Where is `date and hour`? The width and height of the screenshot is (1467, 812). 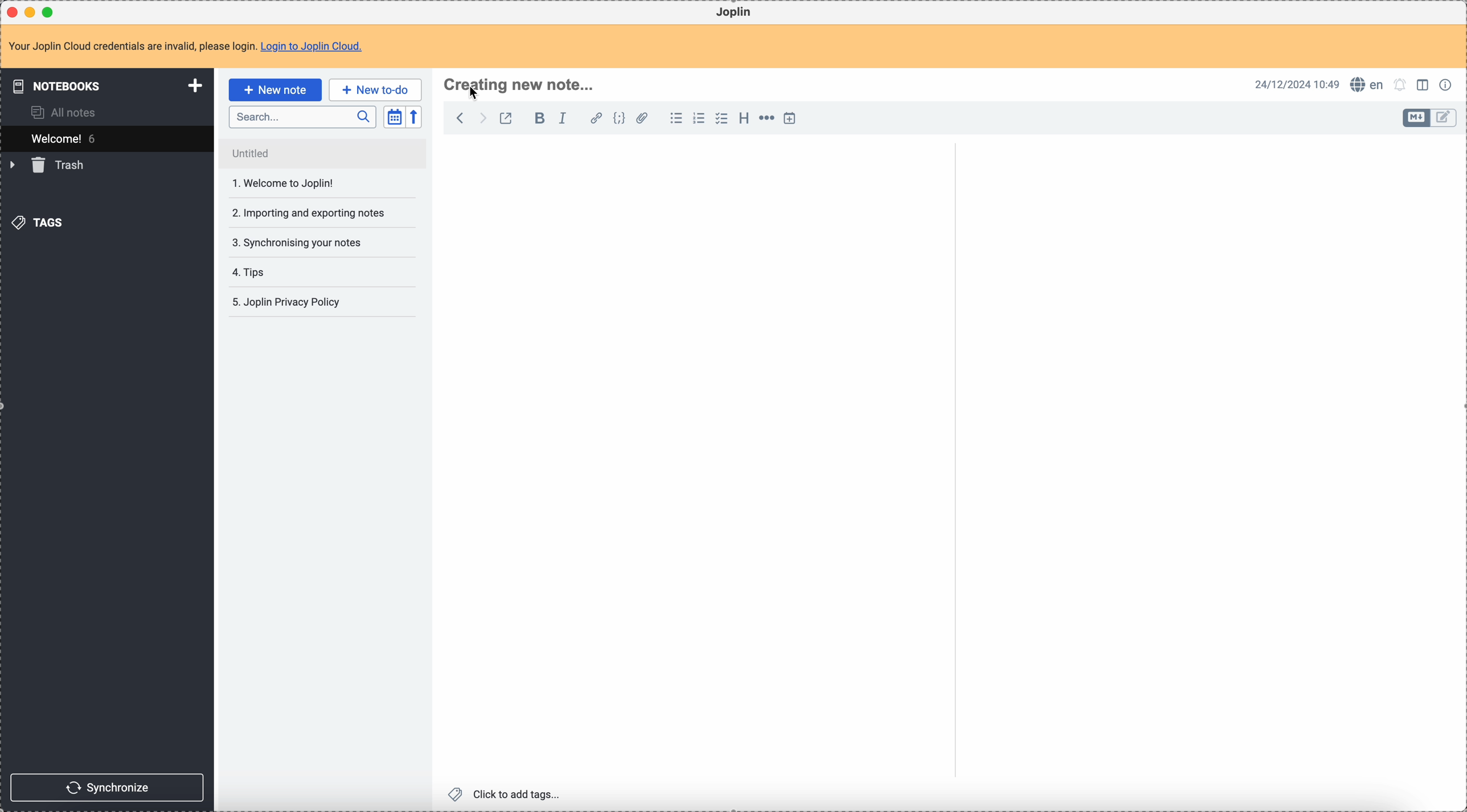 date and hour is located at coordinates (1297, 84).